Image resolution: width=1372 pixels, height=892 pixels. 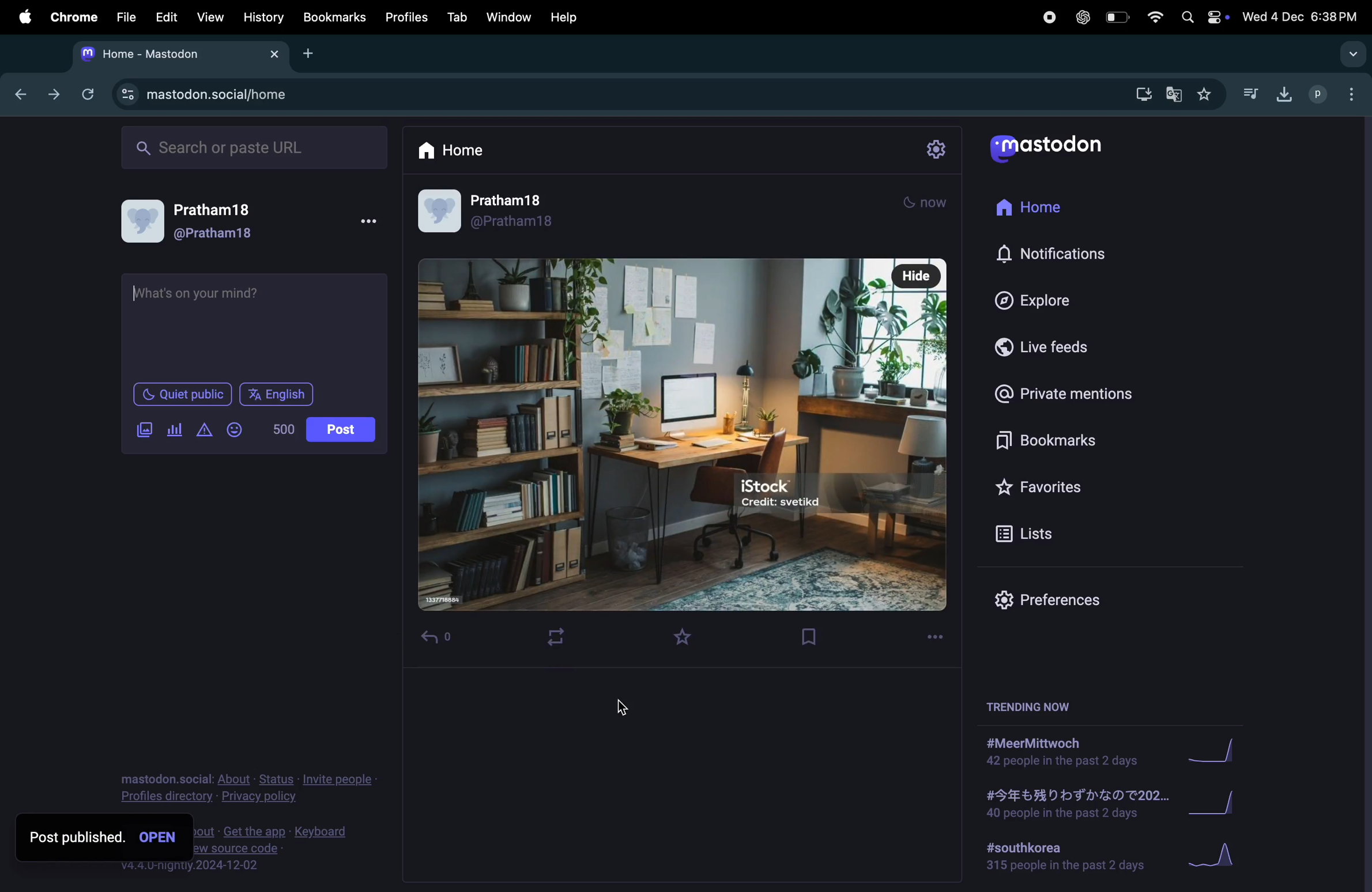 What do you see at coordinates (1301, 17) in the screenshot?
I see `date and time` at bounding box center [1301, 17].